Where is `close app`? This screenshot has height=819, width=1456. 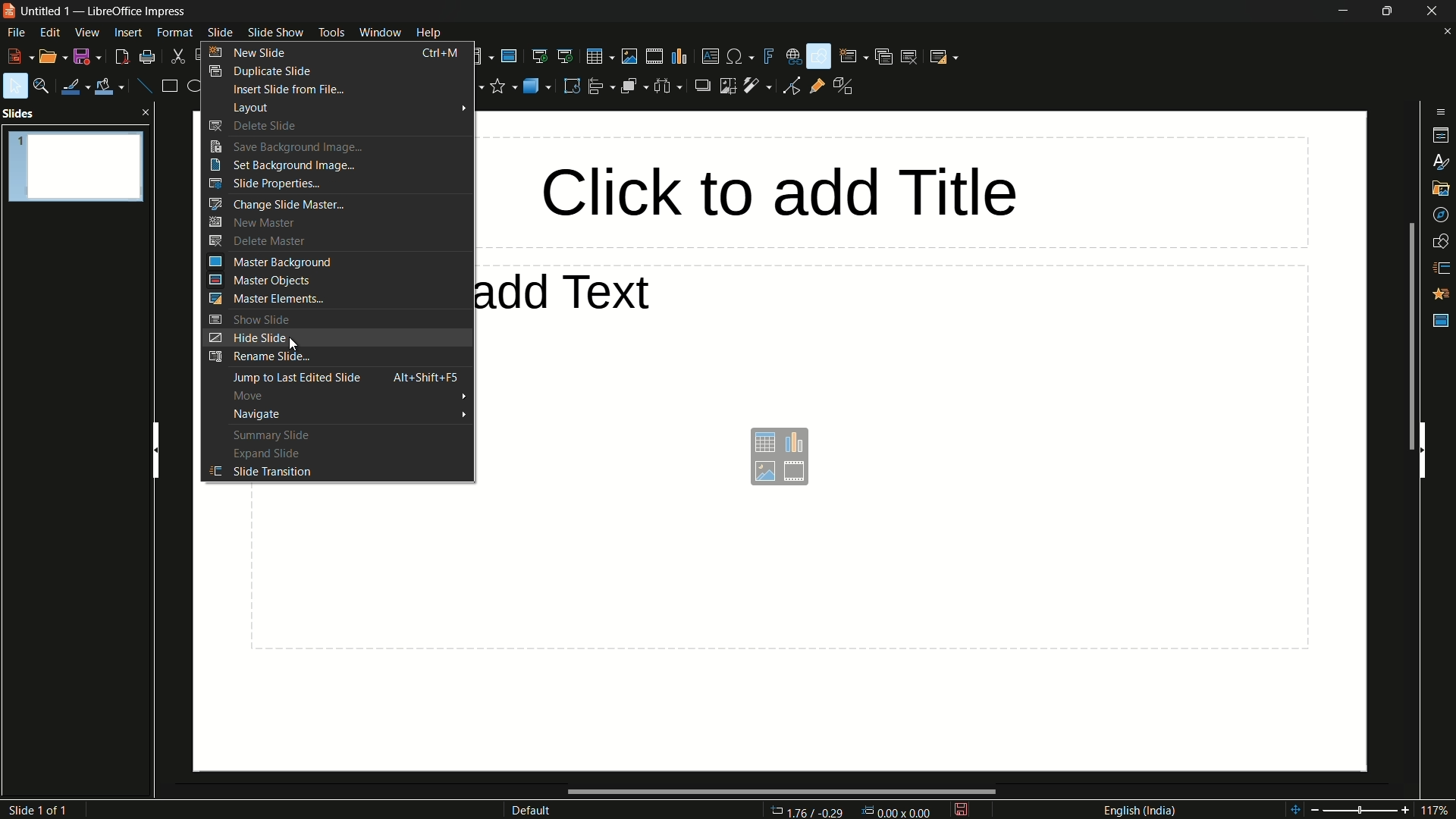
close app is located at coordinates (1435, 10).